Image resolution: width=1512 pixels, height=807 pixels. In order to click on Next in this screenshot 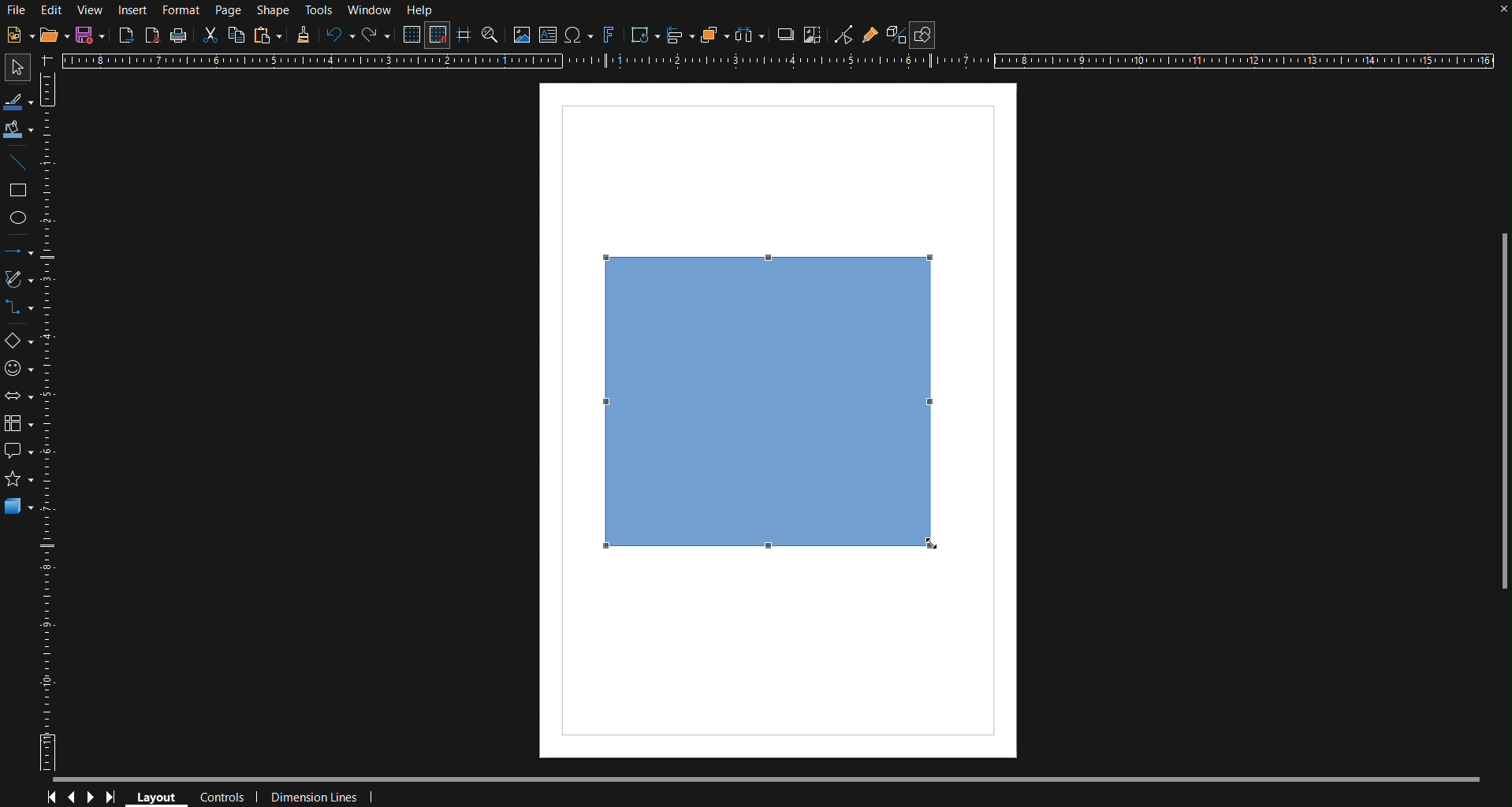, I will do `click(91, 798)`.